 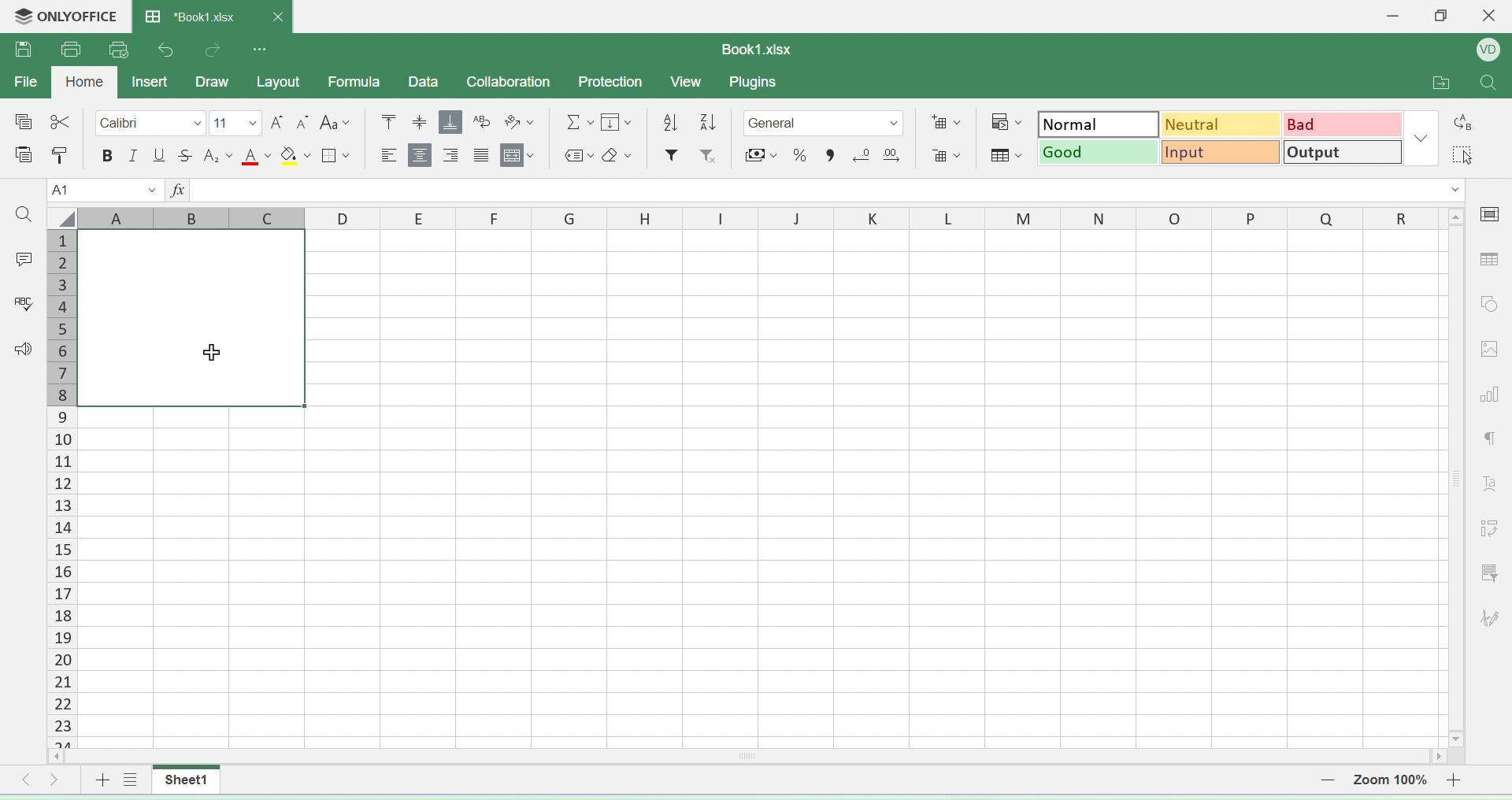 What do you see at coordinates (1441, 85) in the screenshot?
I see `open folder` at bounding box center [1441, 85].